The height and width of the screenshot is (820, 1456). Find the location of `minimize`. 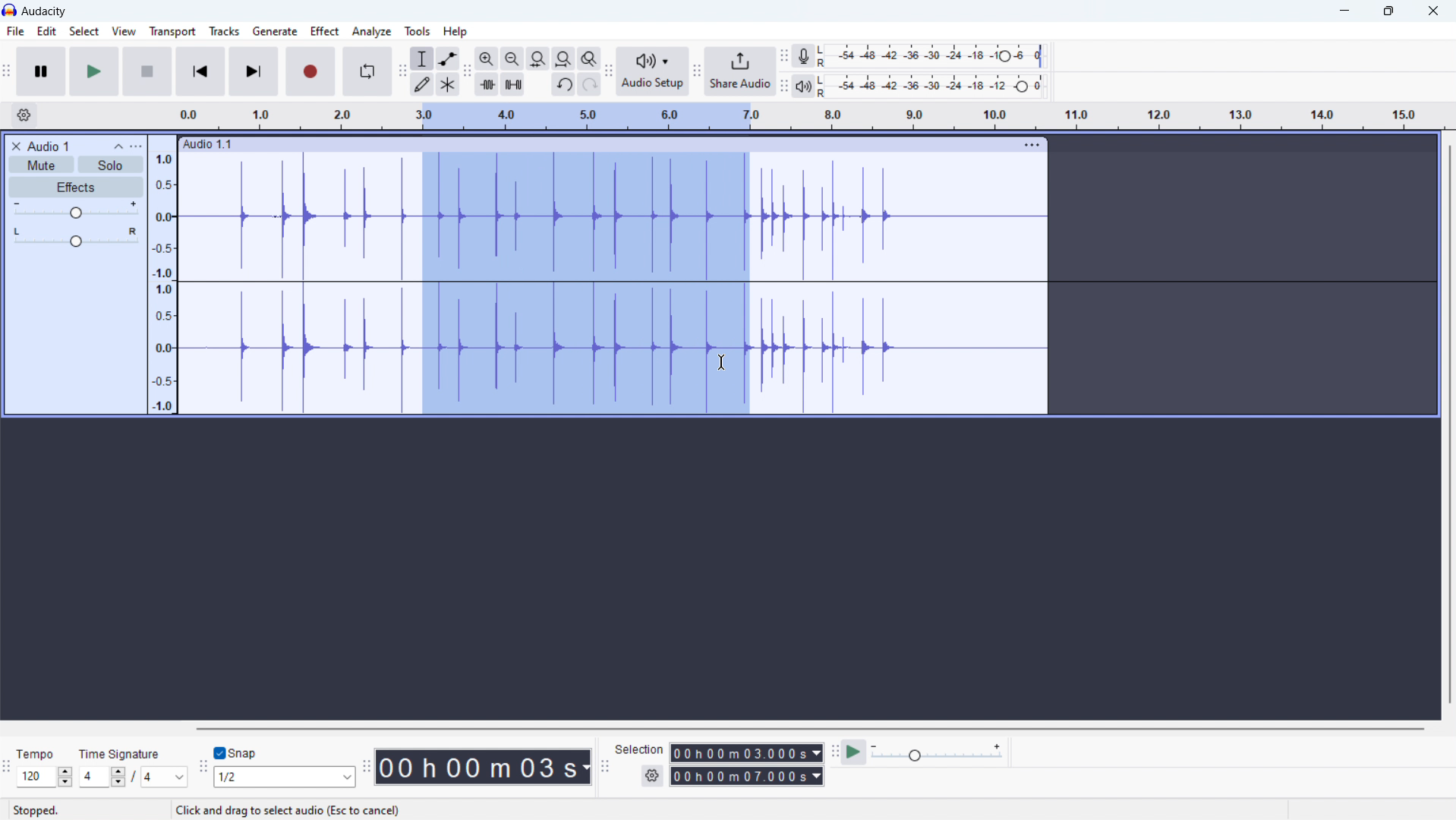

minimize is located at coordinates (1344, 11).